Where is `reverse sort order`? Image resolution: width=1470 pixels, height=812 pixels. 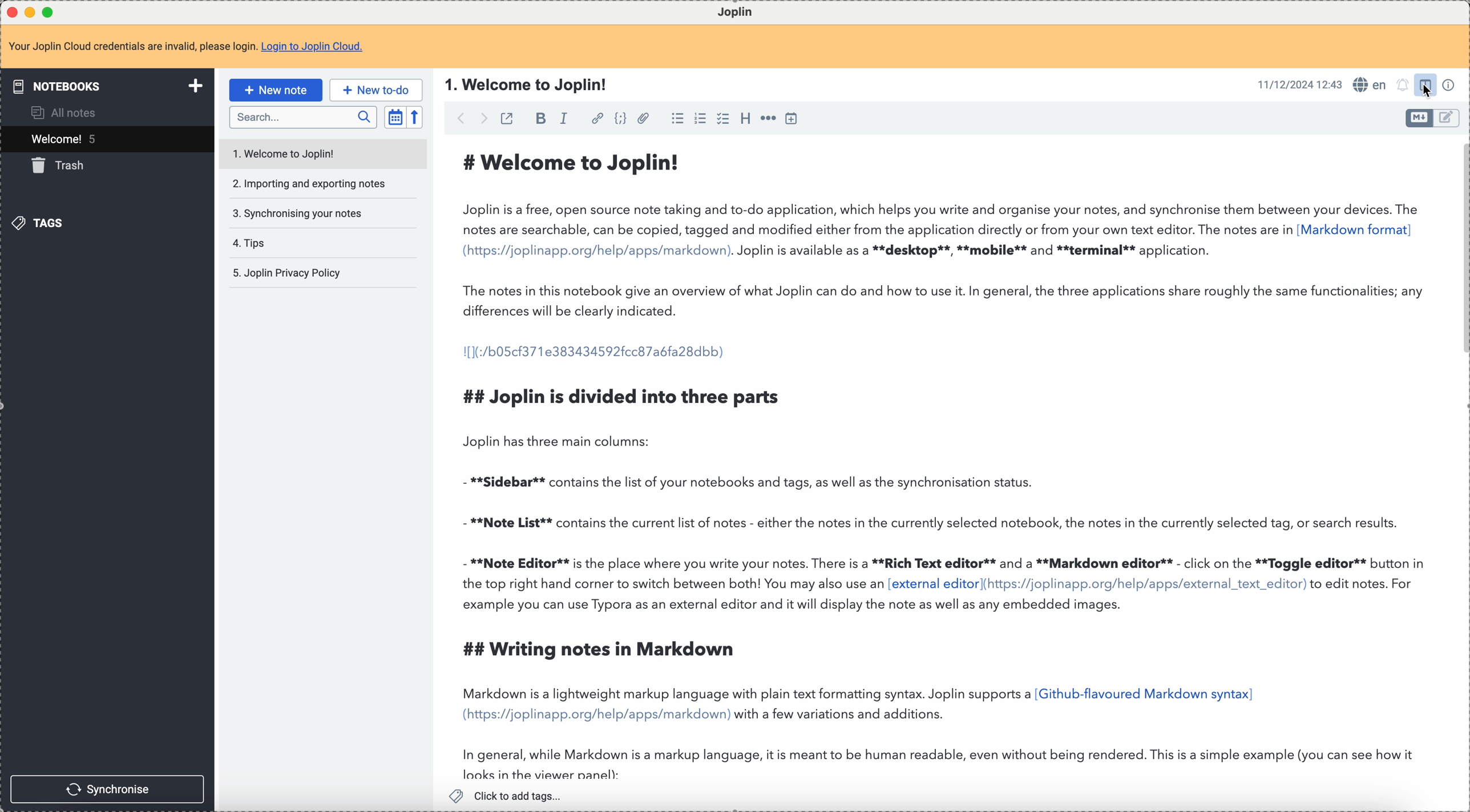 reverse sort order is located at coordinates (418, 116).